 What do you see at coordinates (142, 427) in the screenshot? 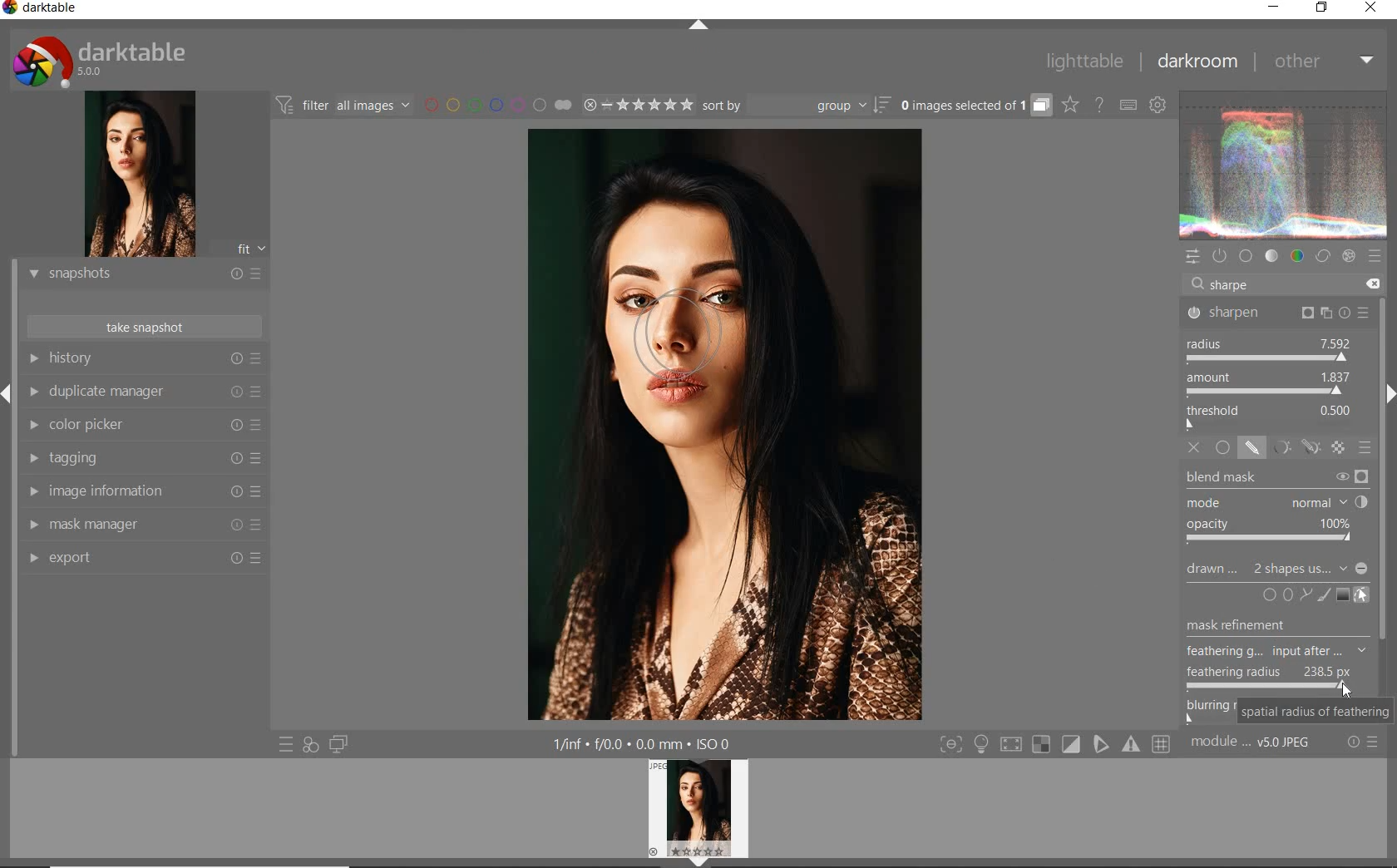
I see `COLOR PICKER` at bounding box center [142, 427].